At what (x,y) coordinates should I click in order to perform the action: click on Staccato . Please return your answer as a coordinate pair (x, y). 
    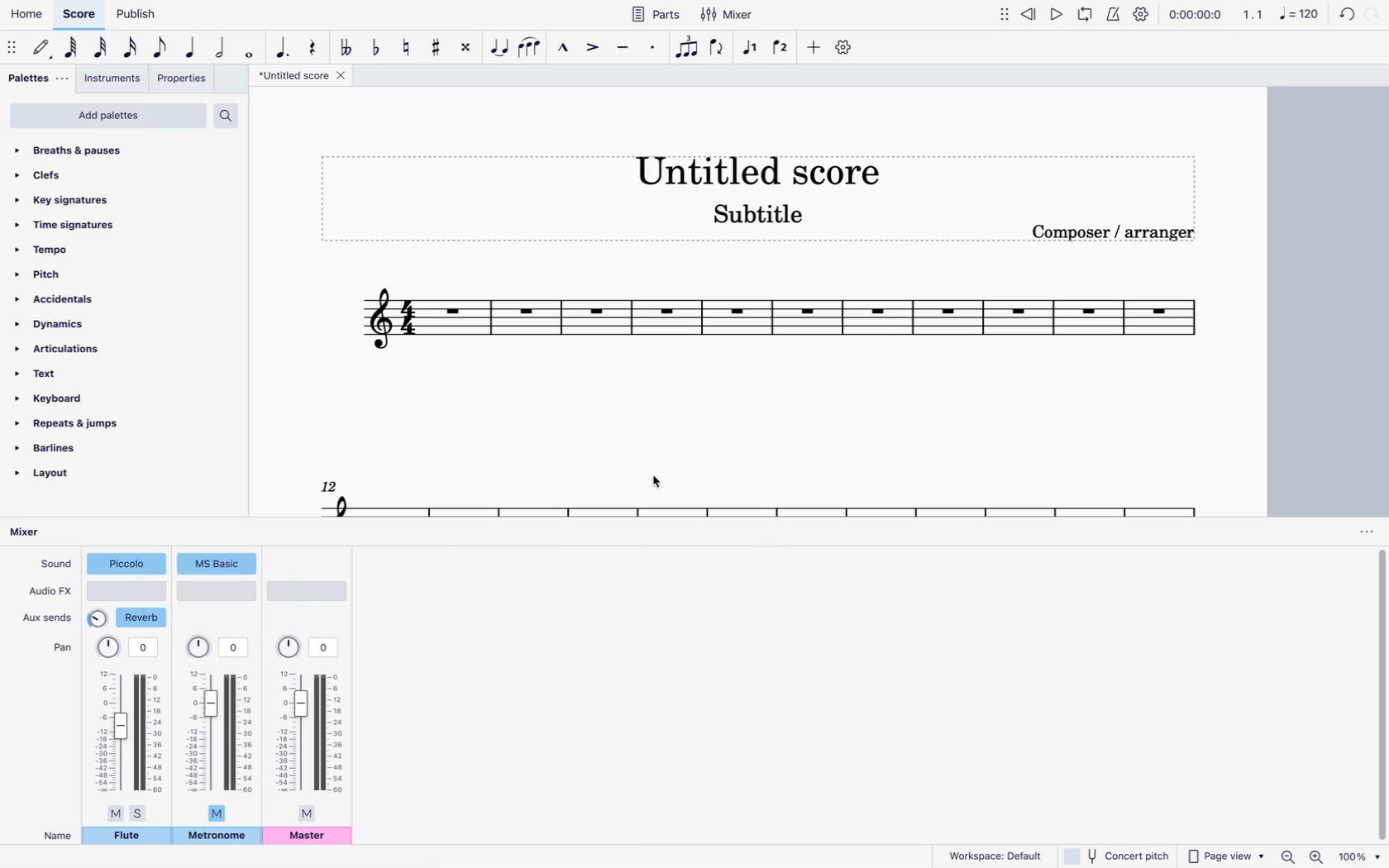
    Looking at the image, I should click on (655, 45).